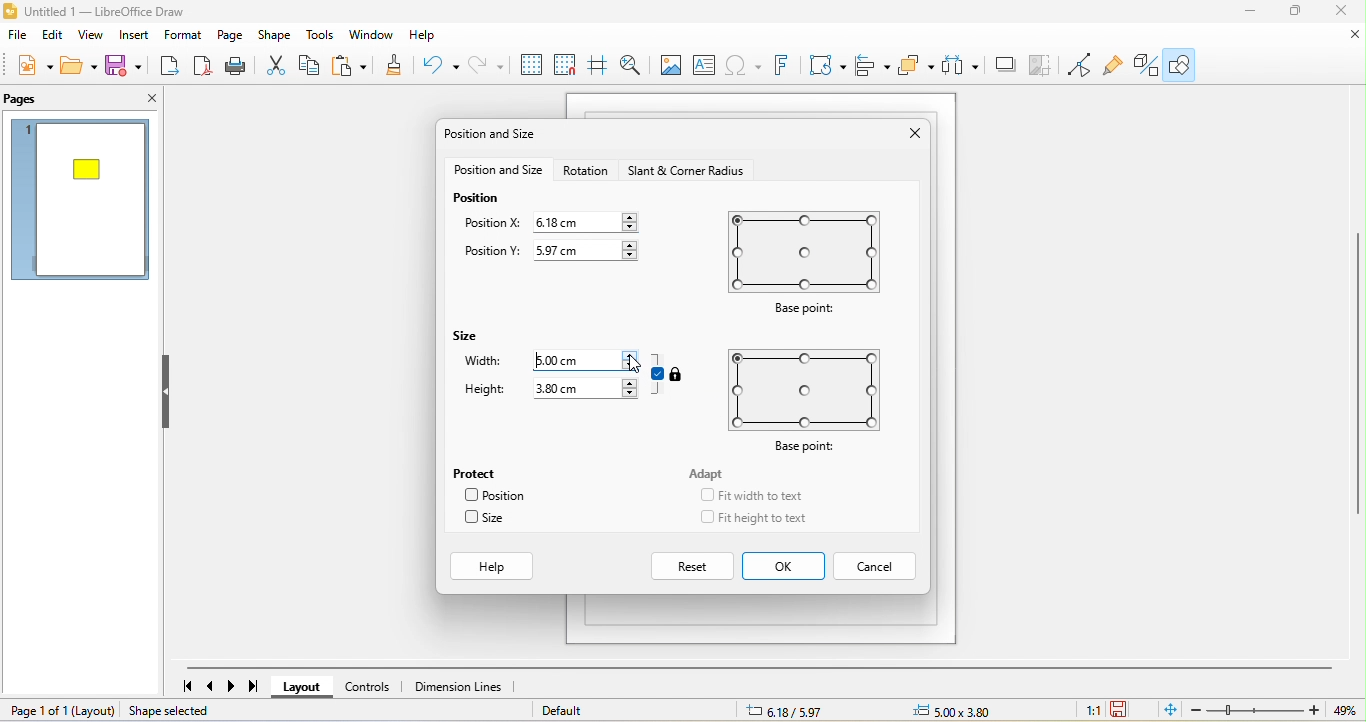 Image resolution: width=1366 pixels, height=722 pixels. Describe the element at coordinates (184, 687) in the screenshot. I see `first page` at that location.